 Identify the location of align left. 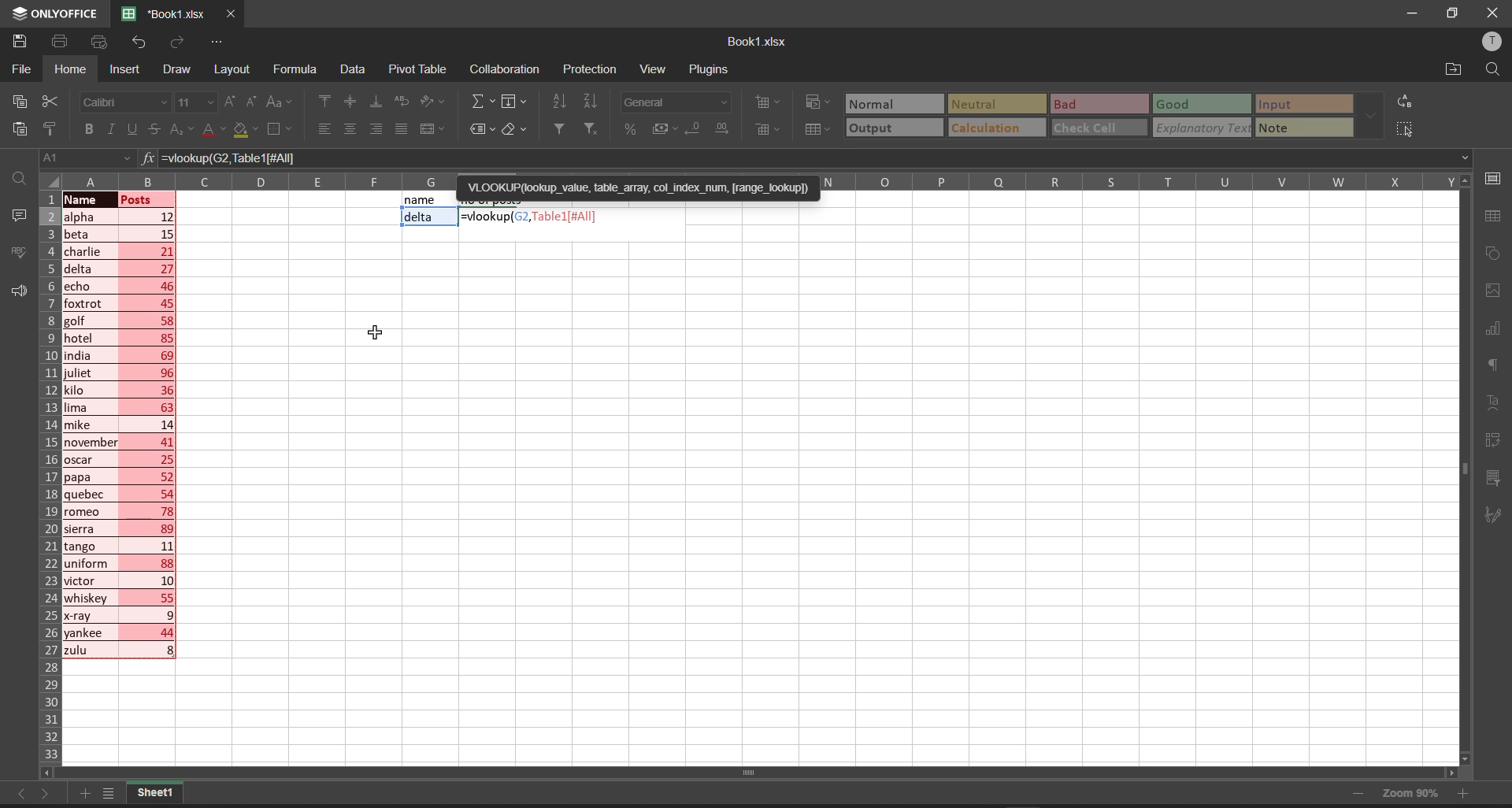
(323, 130).